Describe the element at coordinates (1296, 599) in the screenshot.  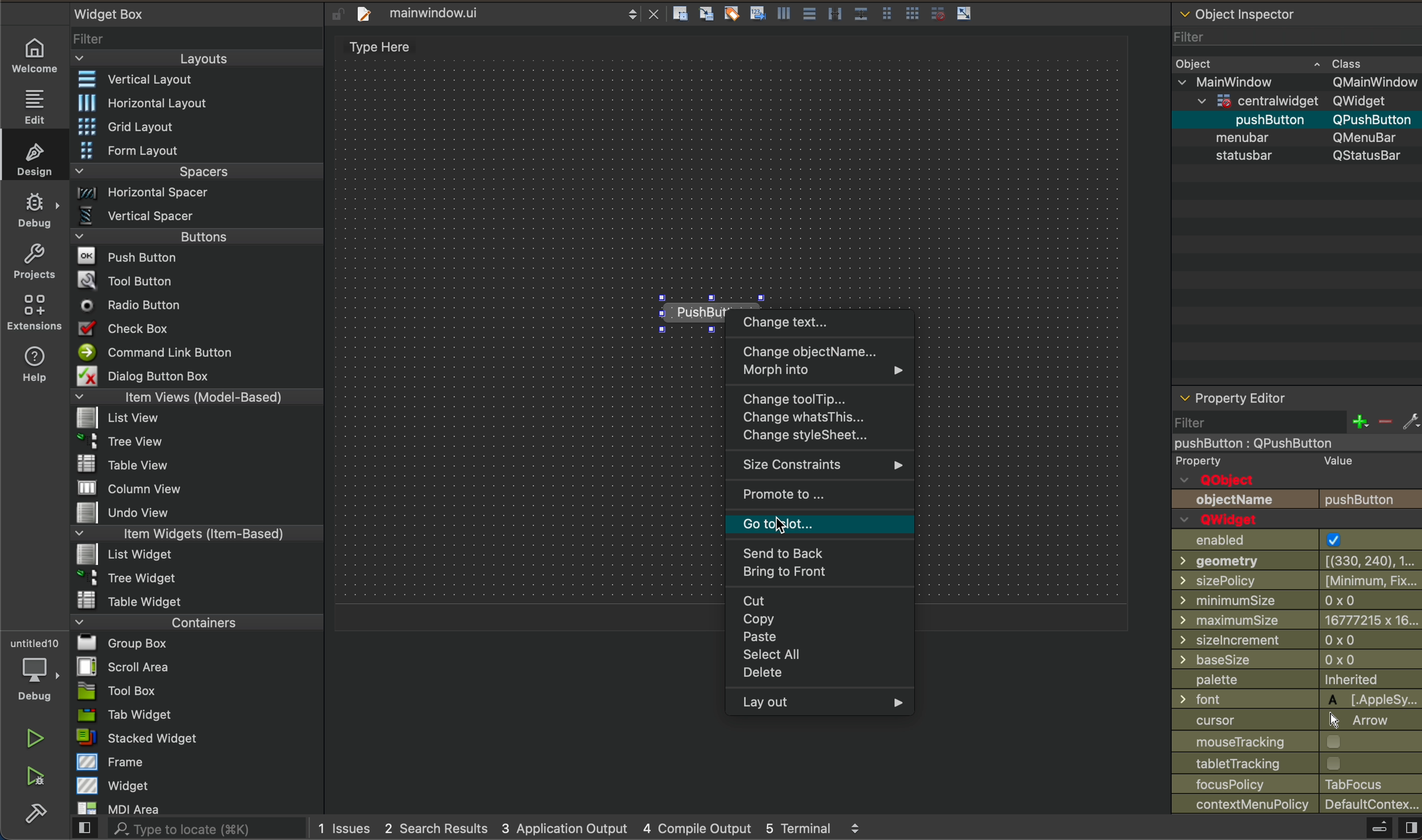
I see `mininmumsize` at that location.